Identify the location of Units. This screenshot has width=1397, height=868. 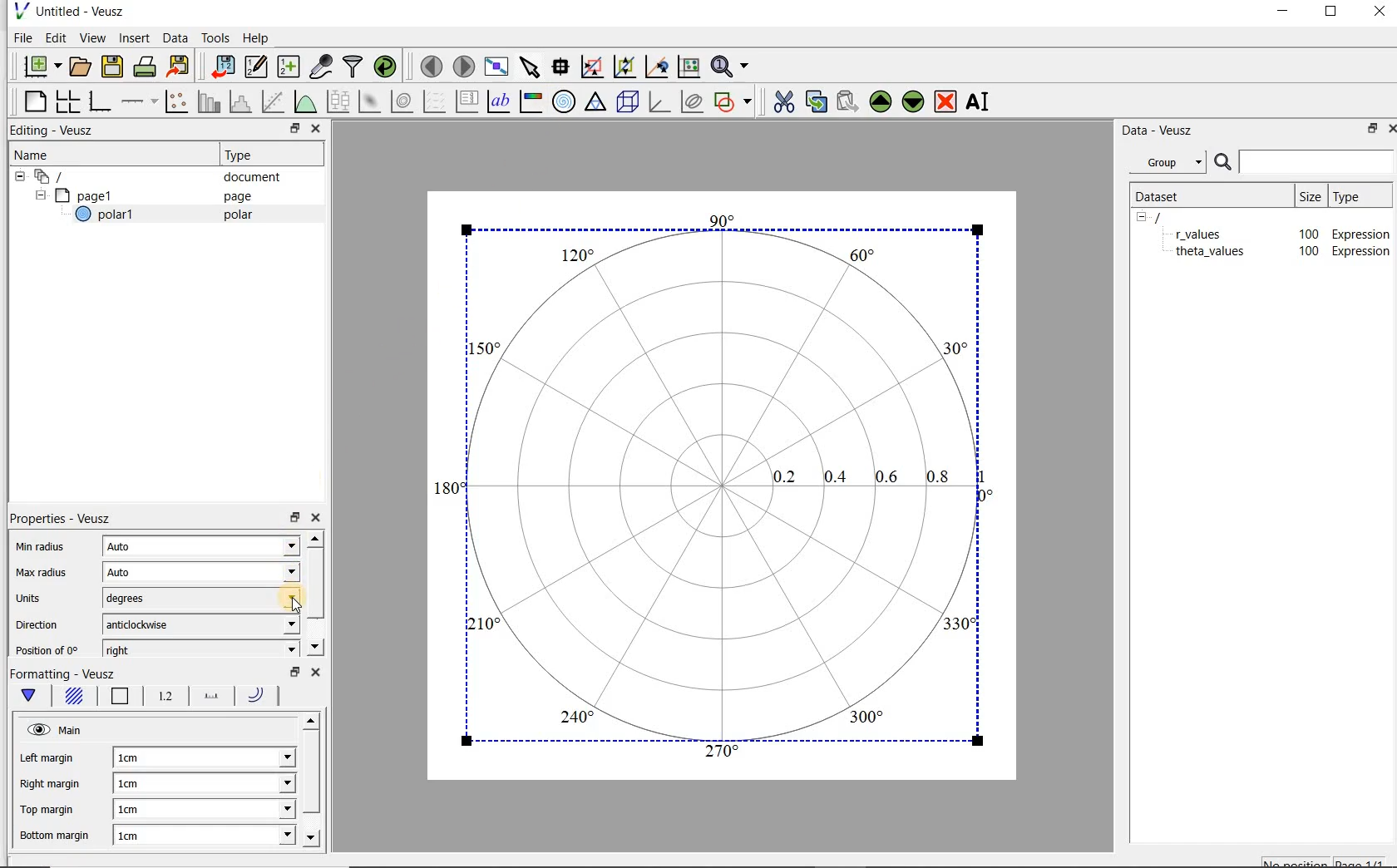
(34, 600).